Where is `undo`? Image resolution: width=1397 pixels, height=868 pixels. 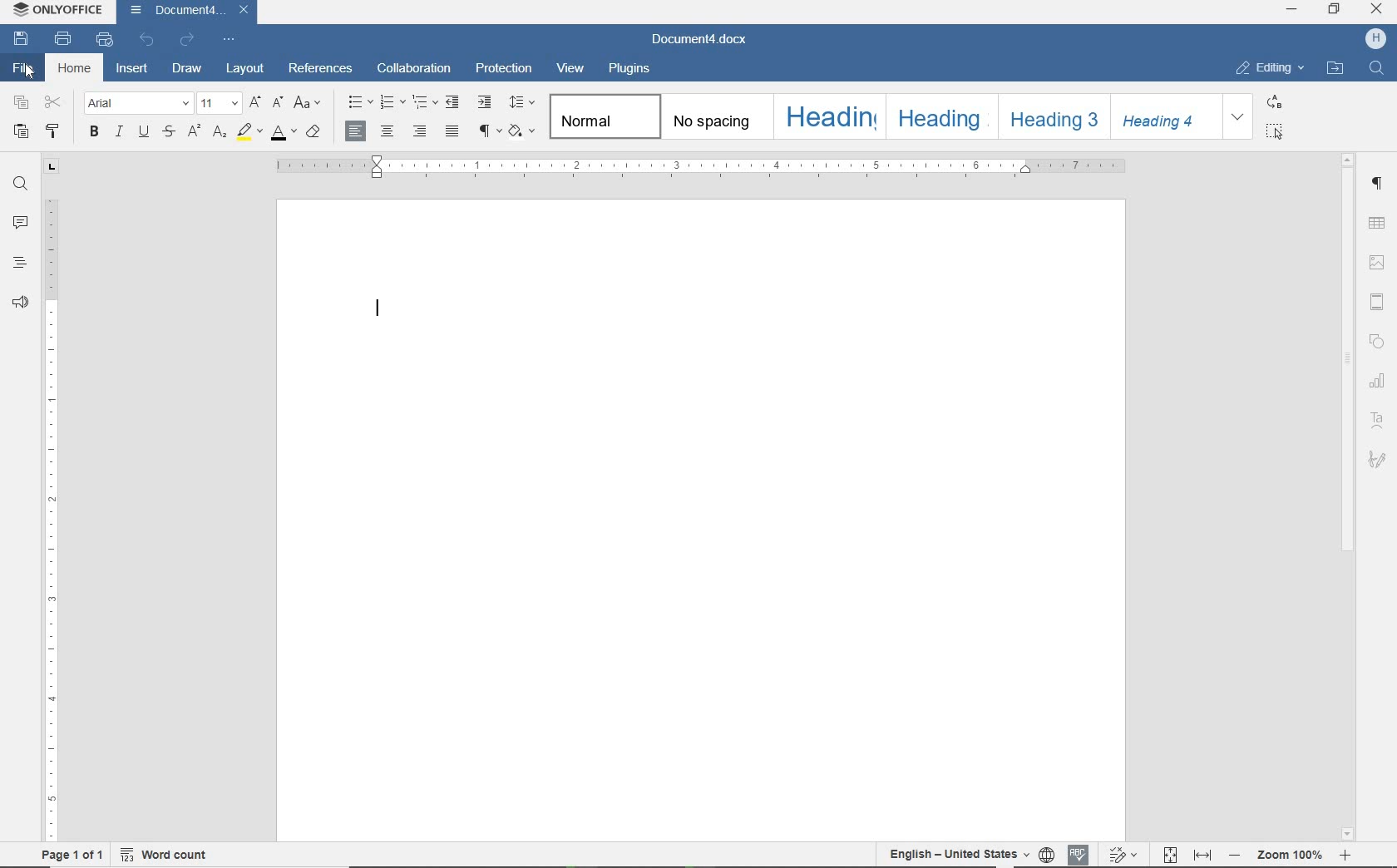 undo is located at coordinates (149, 42).